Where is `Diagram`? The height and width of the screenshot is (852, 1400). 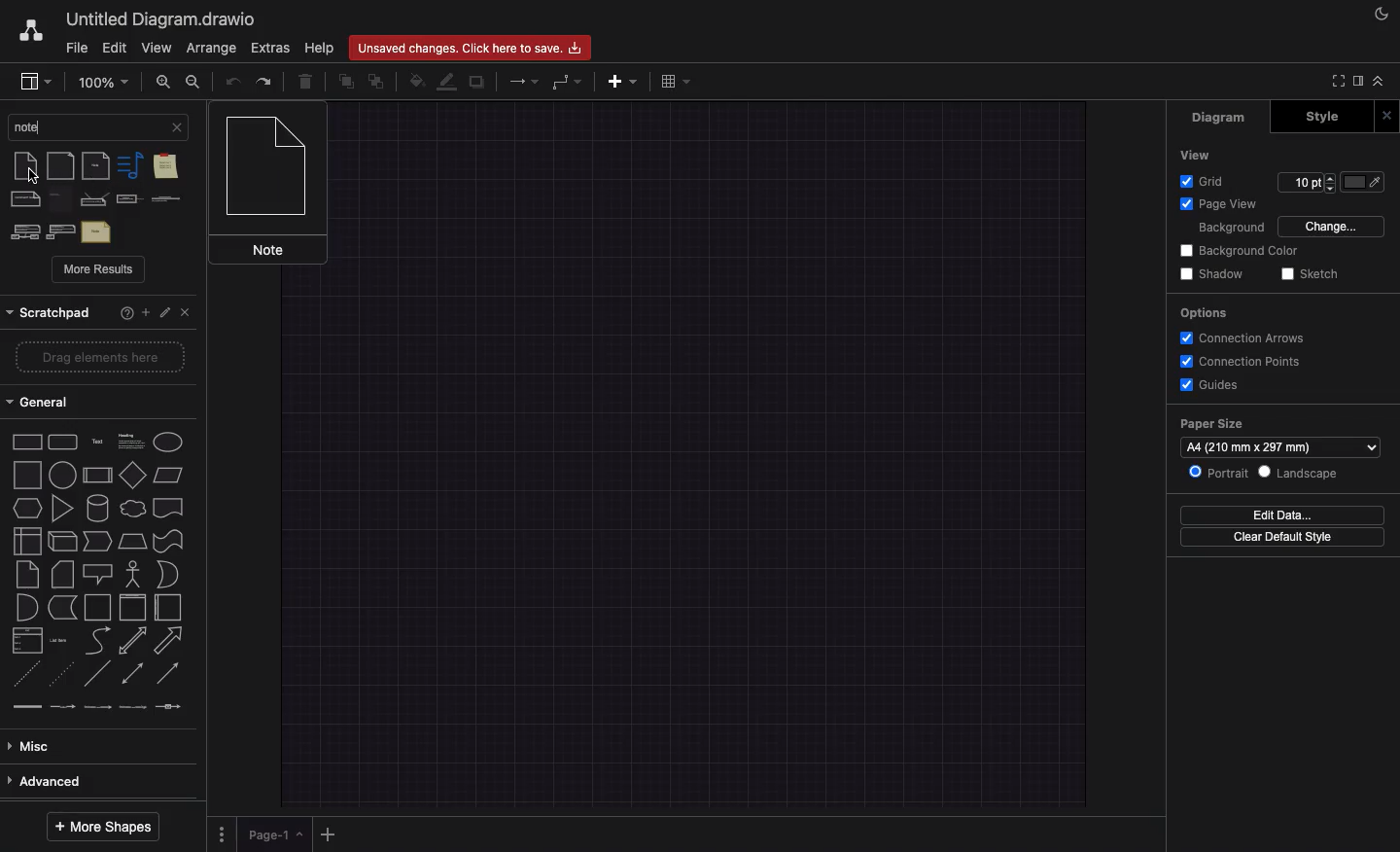
Diagram is located at coordinates (1218, 119).